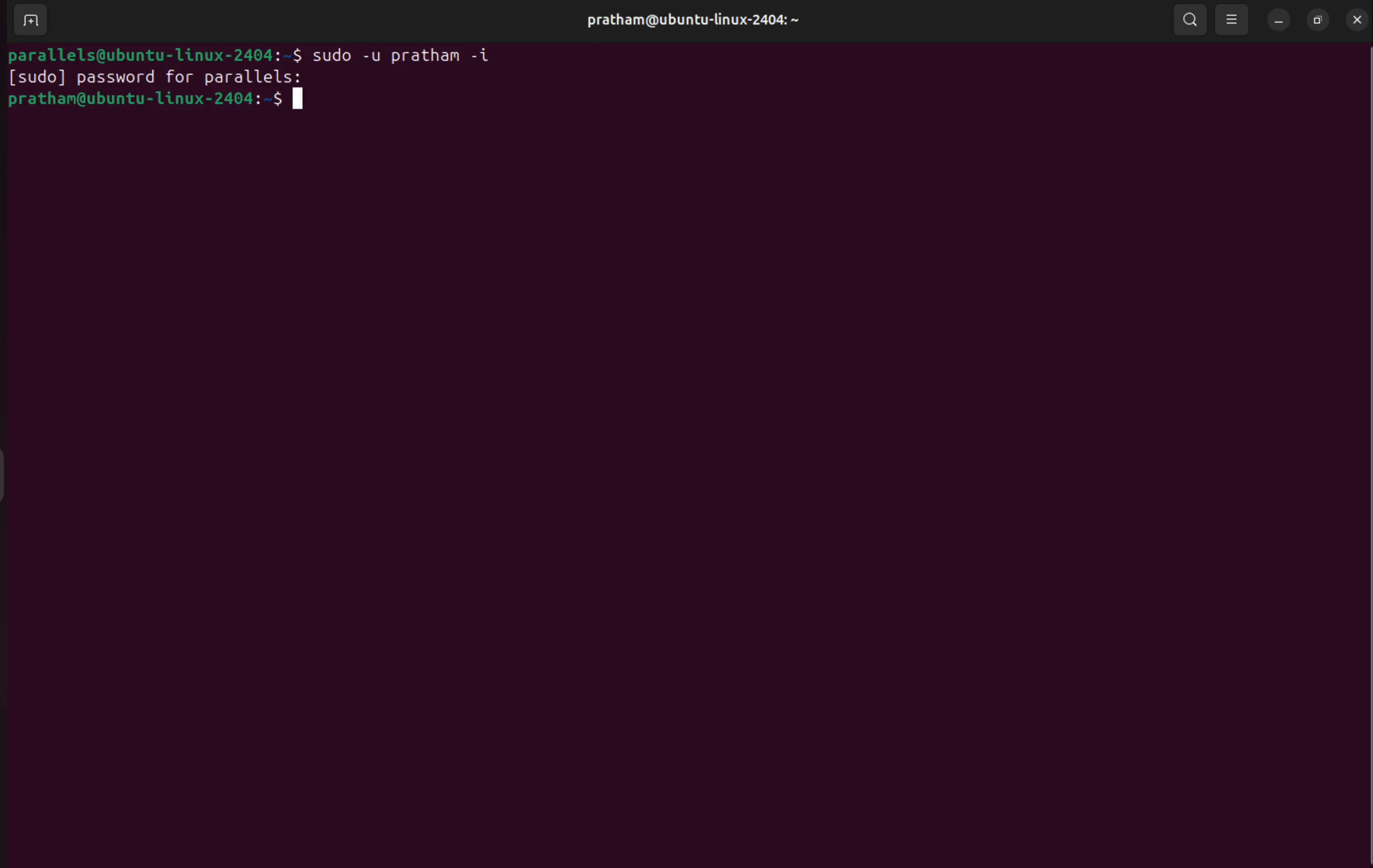 The image size is (1373, 868). Describe the element at coordinates (415, 52) in the screenshot. I see `sudo -u <username> -i` at that location.